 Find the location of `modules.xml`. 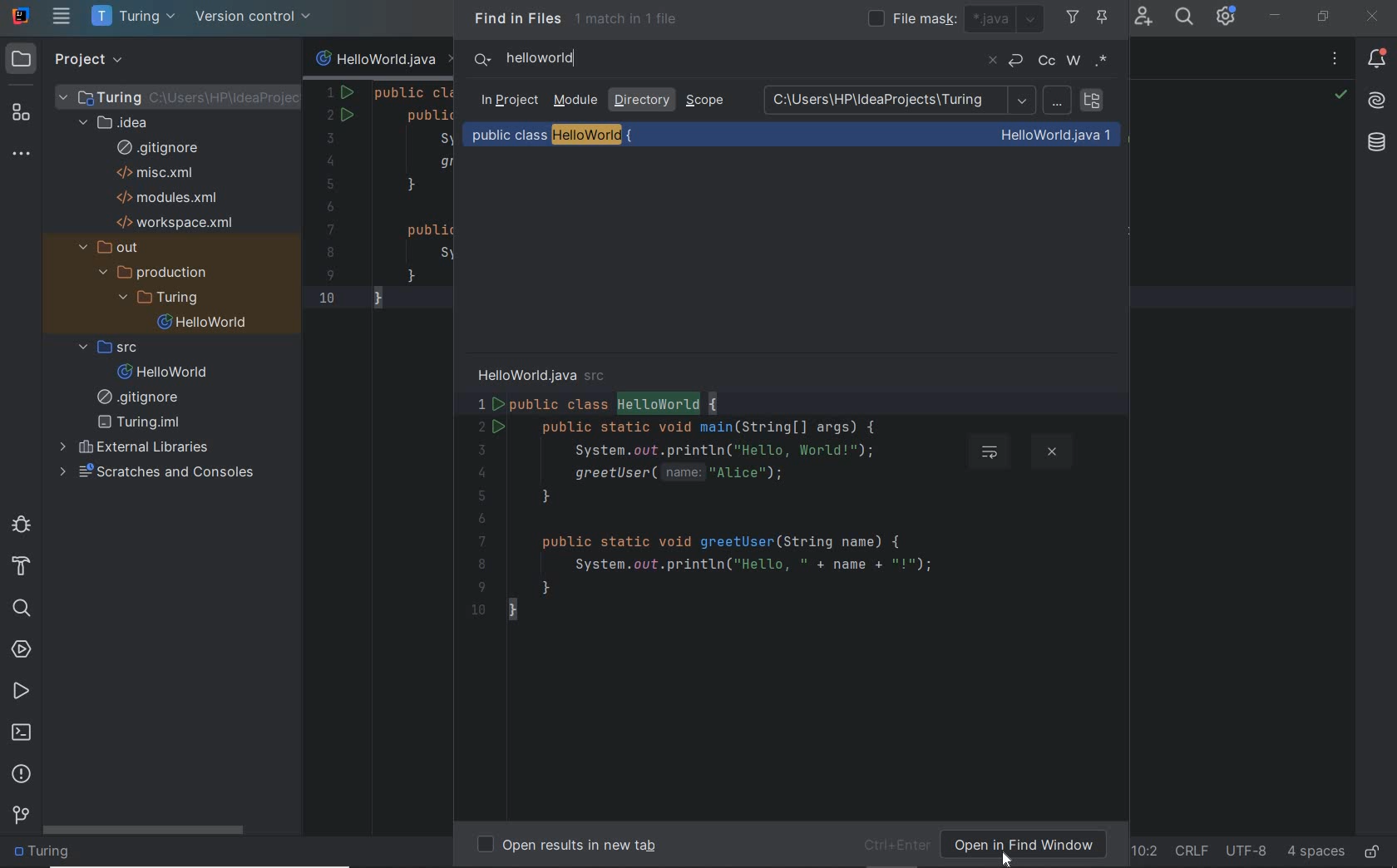

modules.xml is located at coordinates (167, 197).